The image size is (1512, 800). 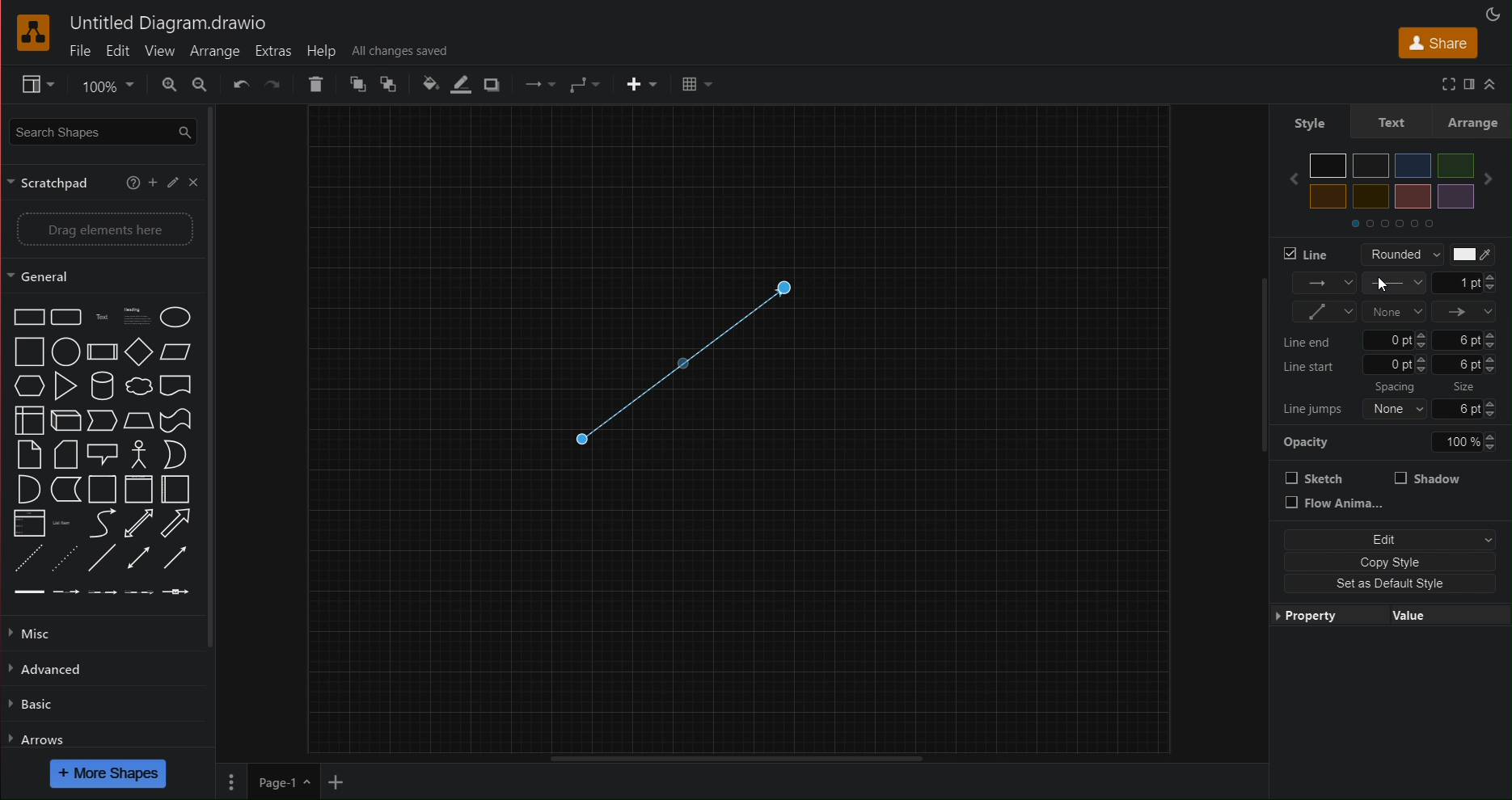 What do you see at coordinates (1465, 283) in the screenshot?
I see `Line width` at bounding box center [1465, 283].